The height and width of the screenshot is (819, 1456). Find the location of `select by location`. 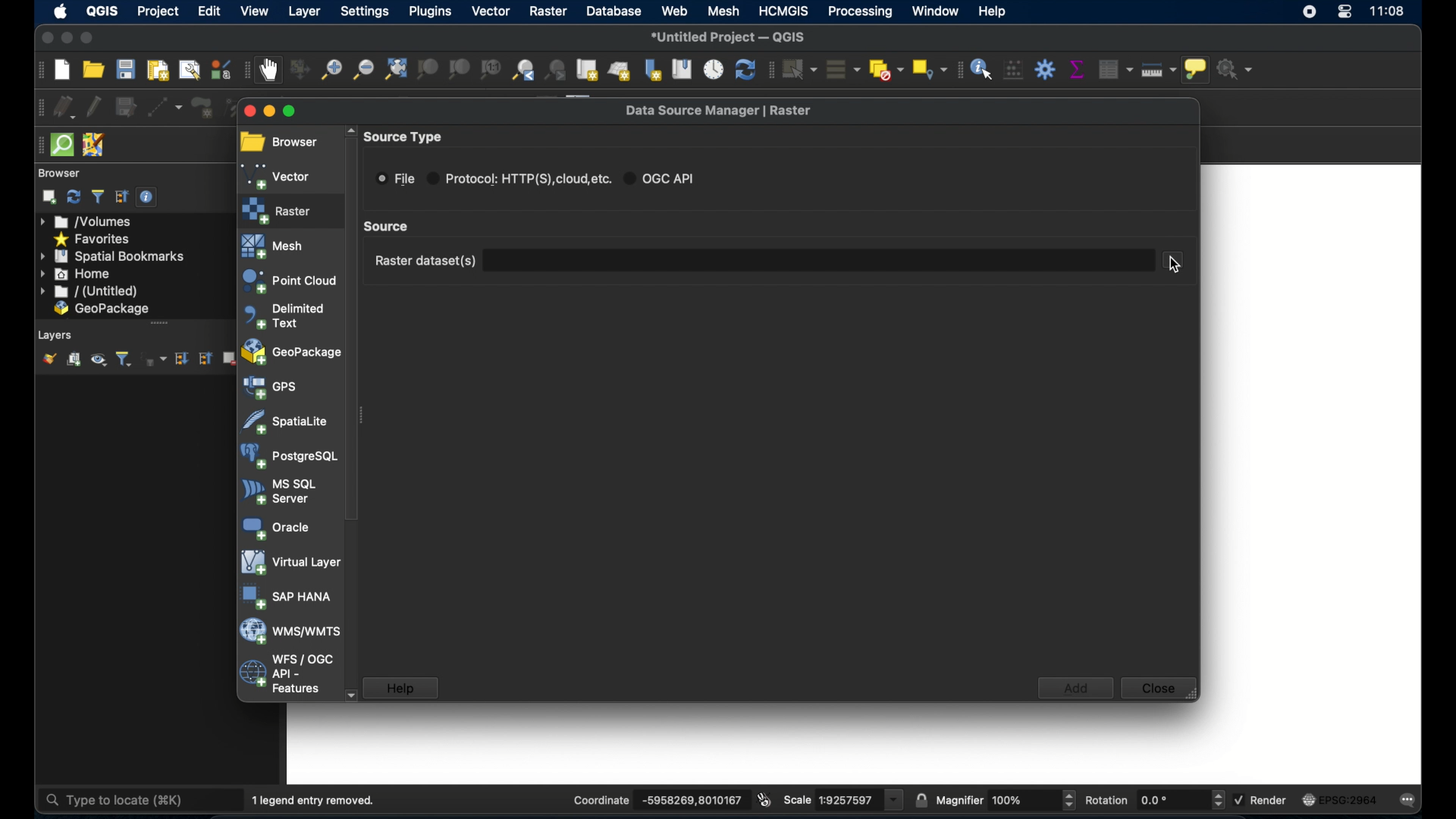

select by location is located at coordinates (927, 69).